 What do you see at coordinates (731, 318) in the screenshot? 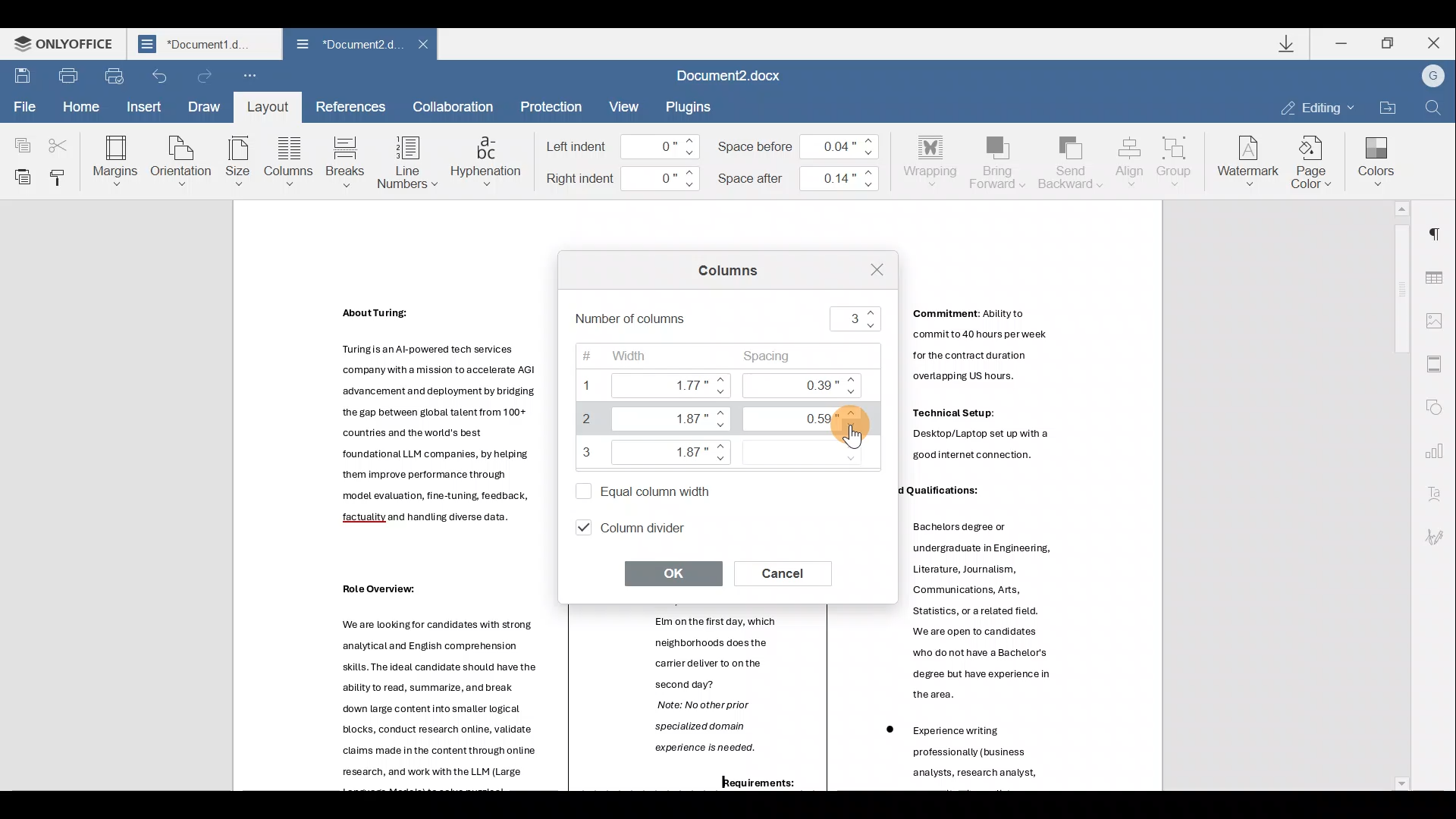
I see `Number of columns` at bounding box center [731, 318].